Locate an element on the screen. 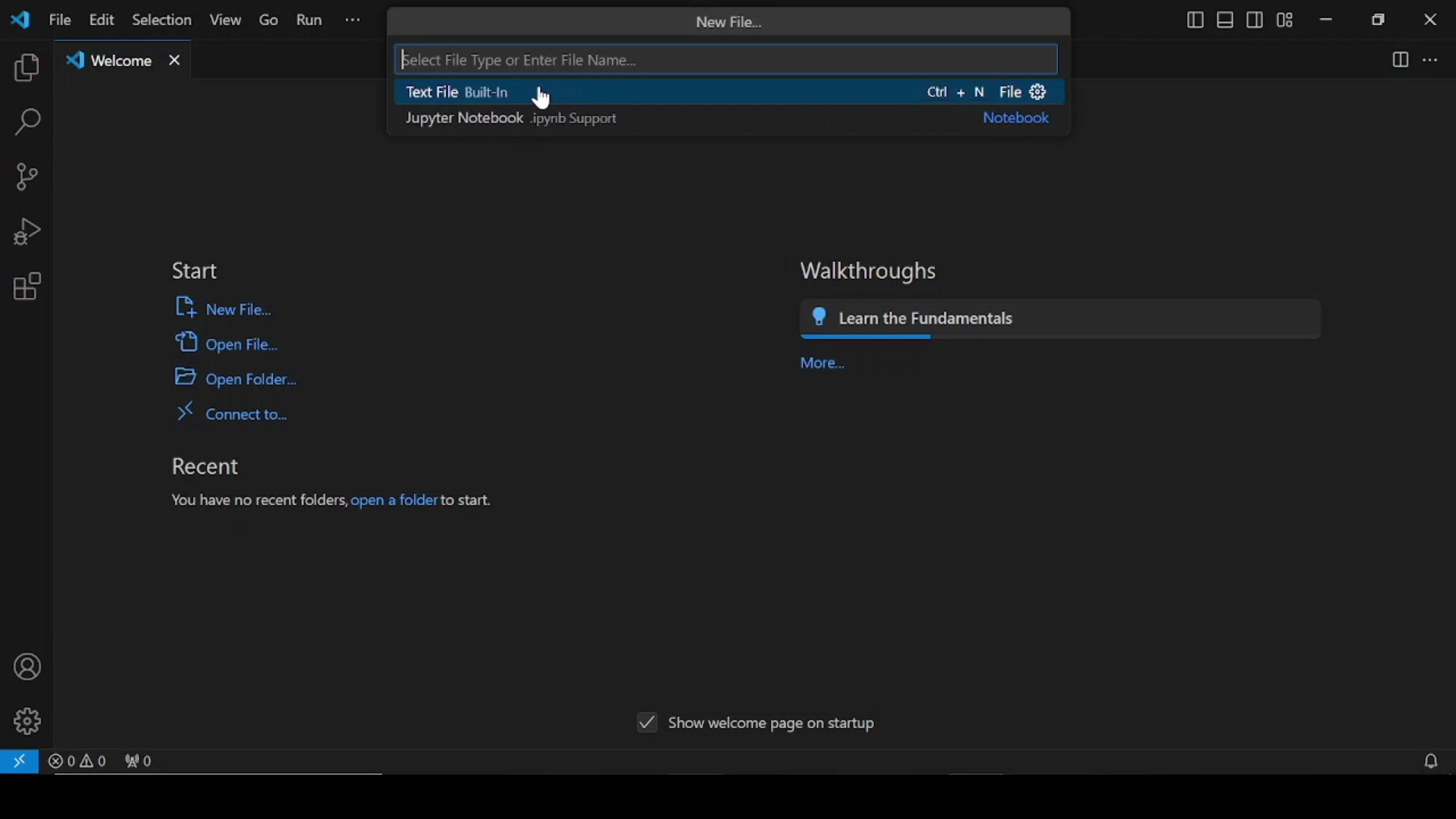  toggle secondary sidebar is located at coordinates (1254, 20).